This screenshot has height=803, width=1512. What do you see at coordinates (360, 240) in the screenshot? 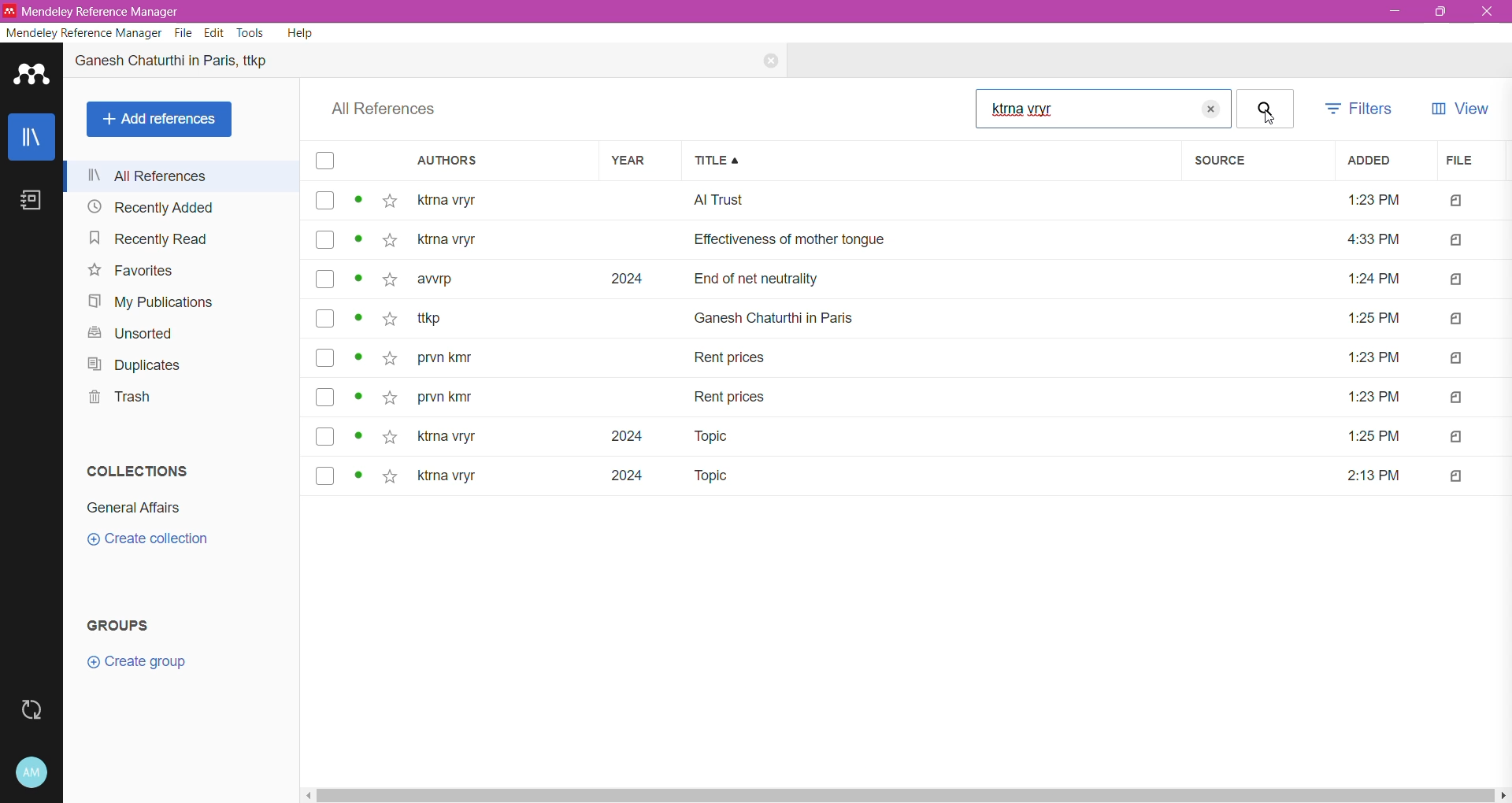
I see `view status` at bounding box center [360, 240].